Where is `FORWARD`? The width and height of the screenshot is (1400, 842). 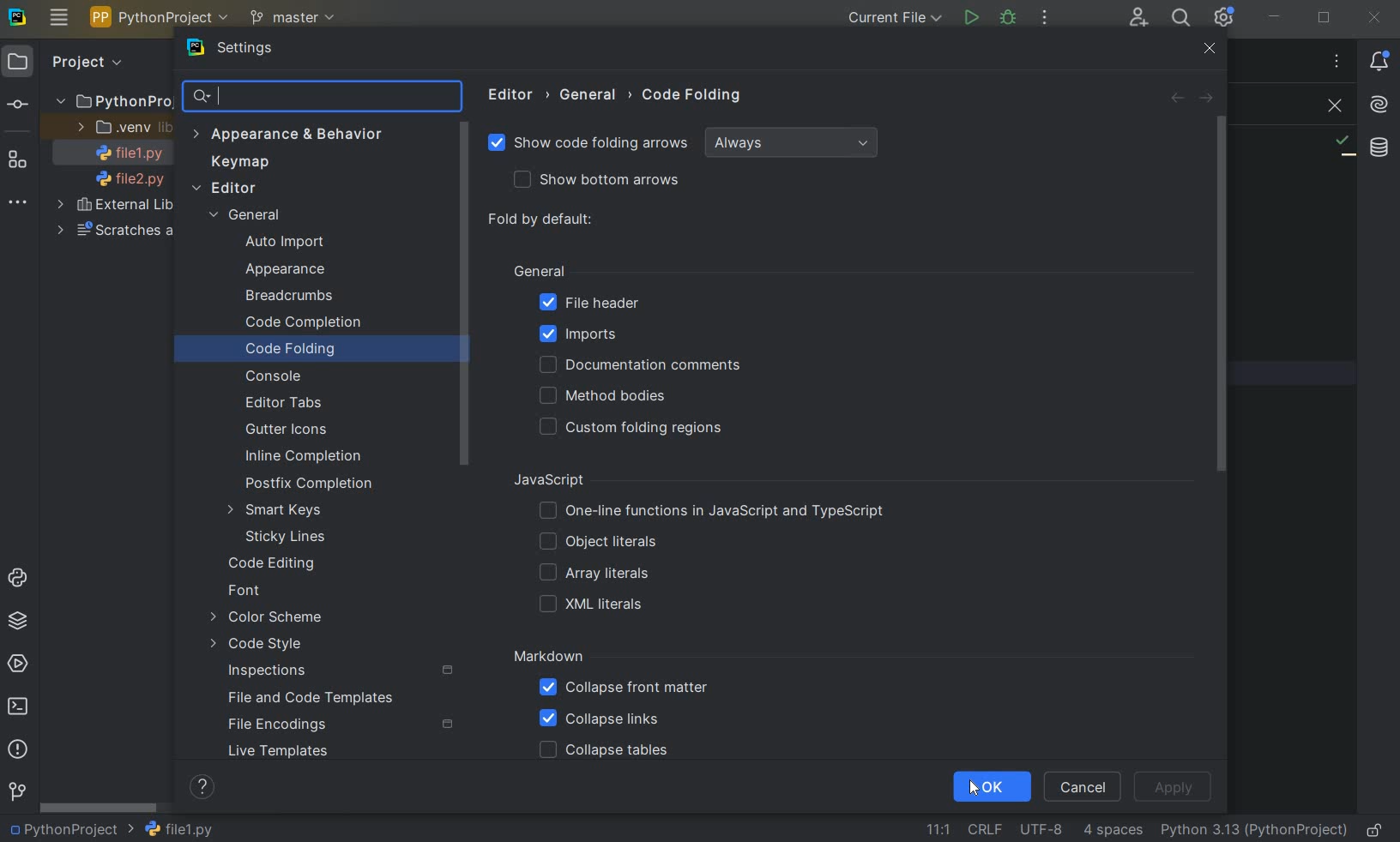
FORWARD is located at coordinates (1208, 99).